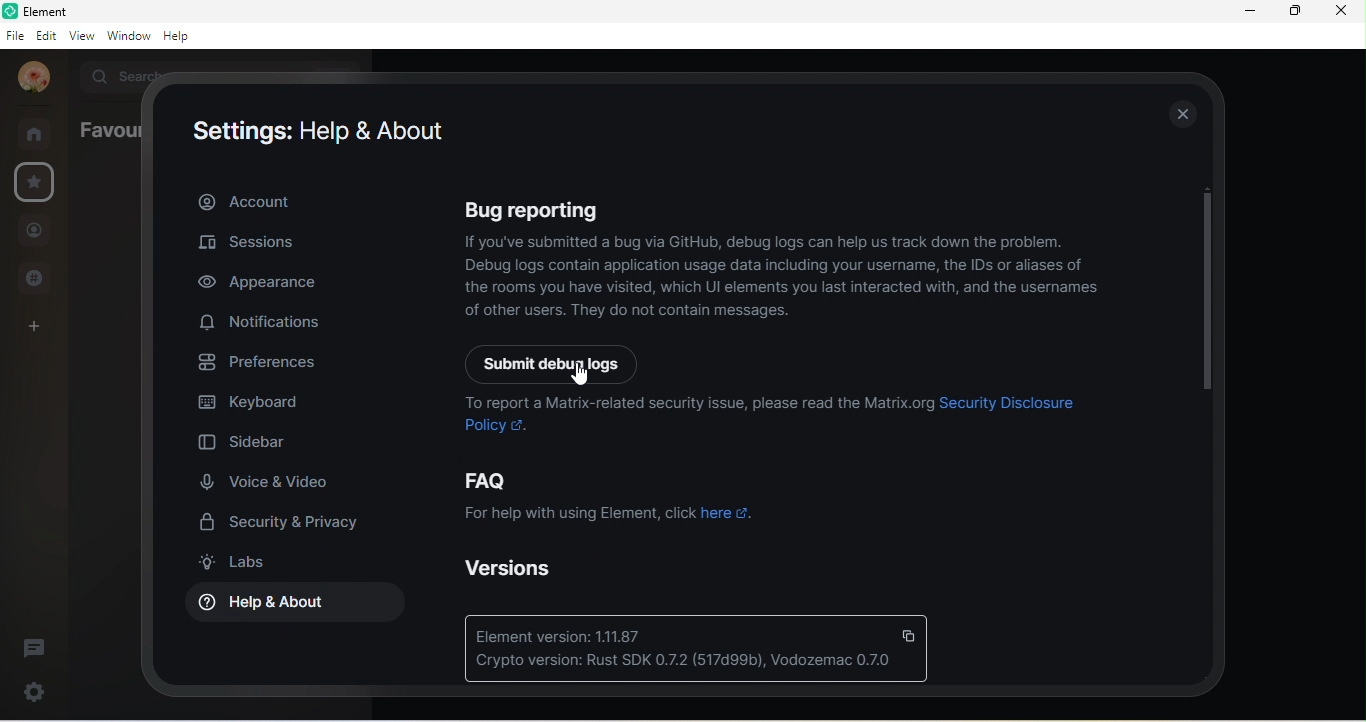 This screenshot has width=1366, height=722. What do you see at coordinates (54, 11) in the screenshot?
I see `Element` at bounding box center [54, 11].